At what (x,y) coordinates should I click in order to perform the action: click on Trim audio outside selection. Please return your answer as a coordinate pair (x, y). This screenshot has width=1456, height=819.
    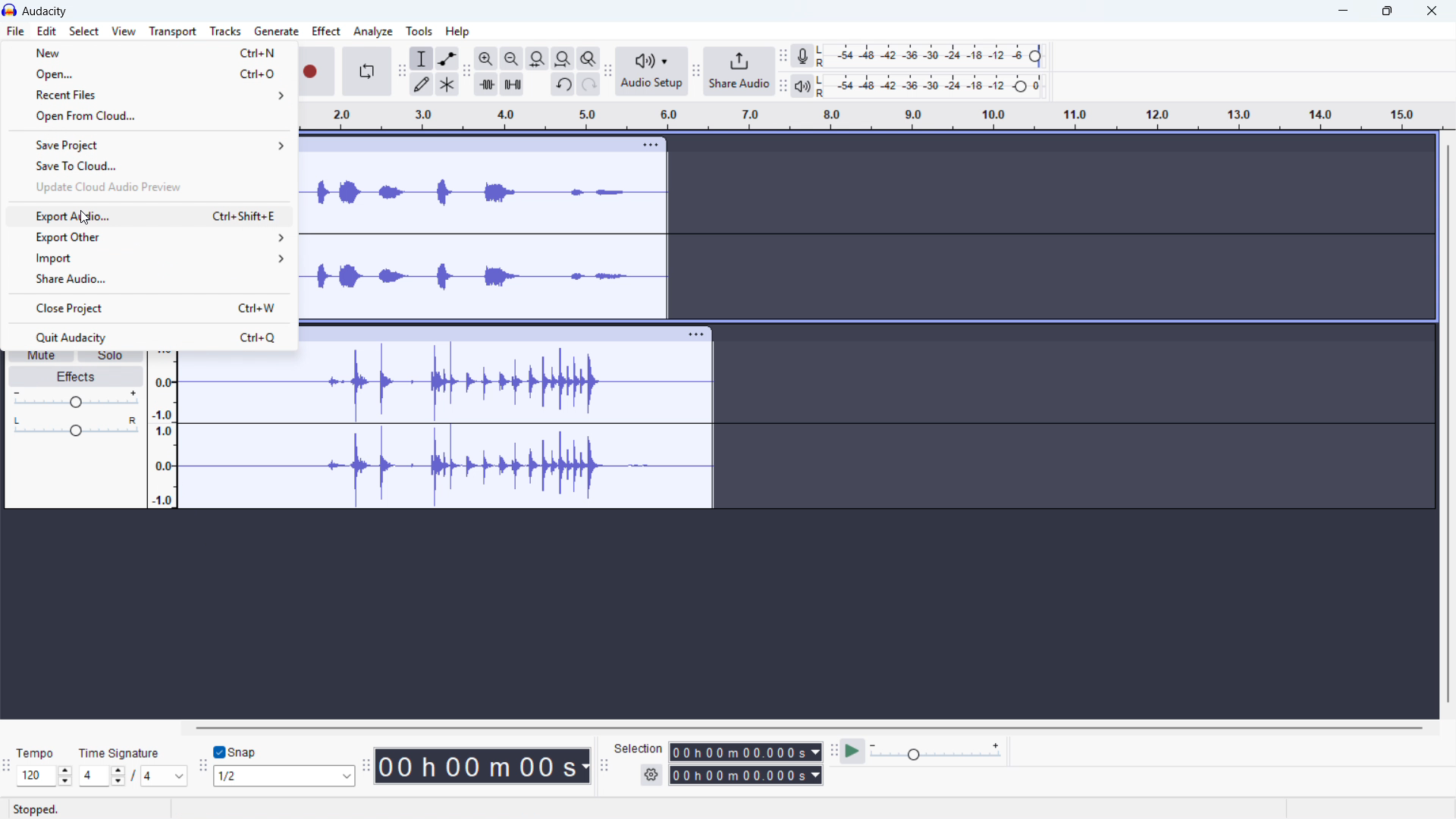
    Looking at the image, I should click on (486, 83).